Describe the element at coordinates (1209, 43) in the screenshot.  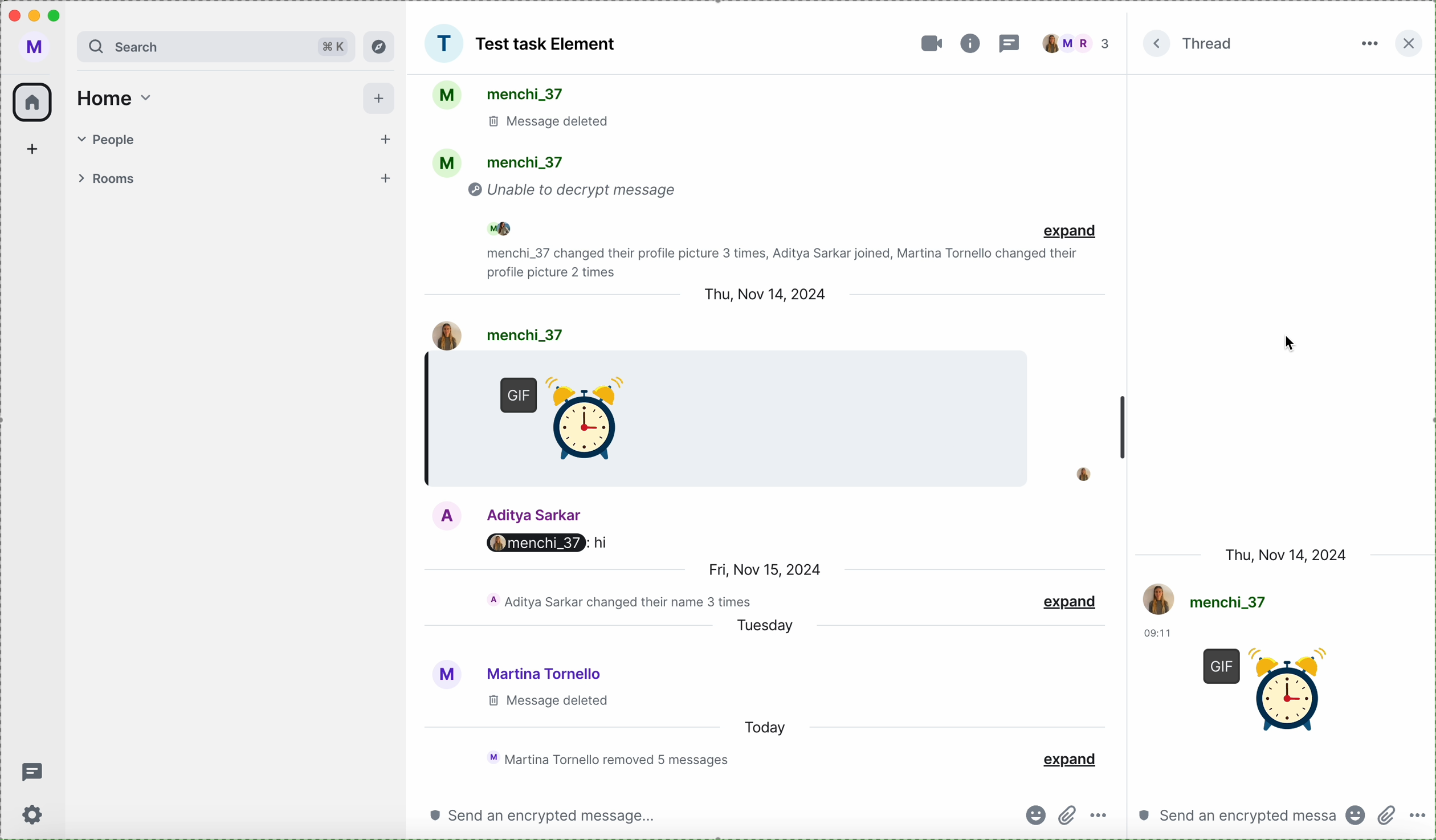
I see `thread` at that location.